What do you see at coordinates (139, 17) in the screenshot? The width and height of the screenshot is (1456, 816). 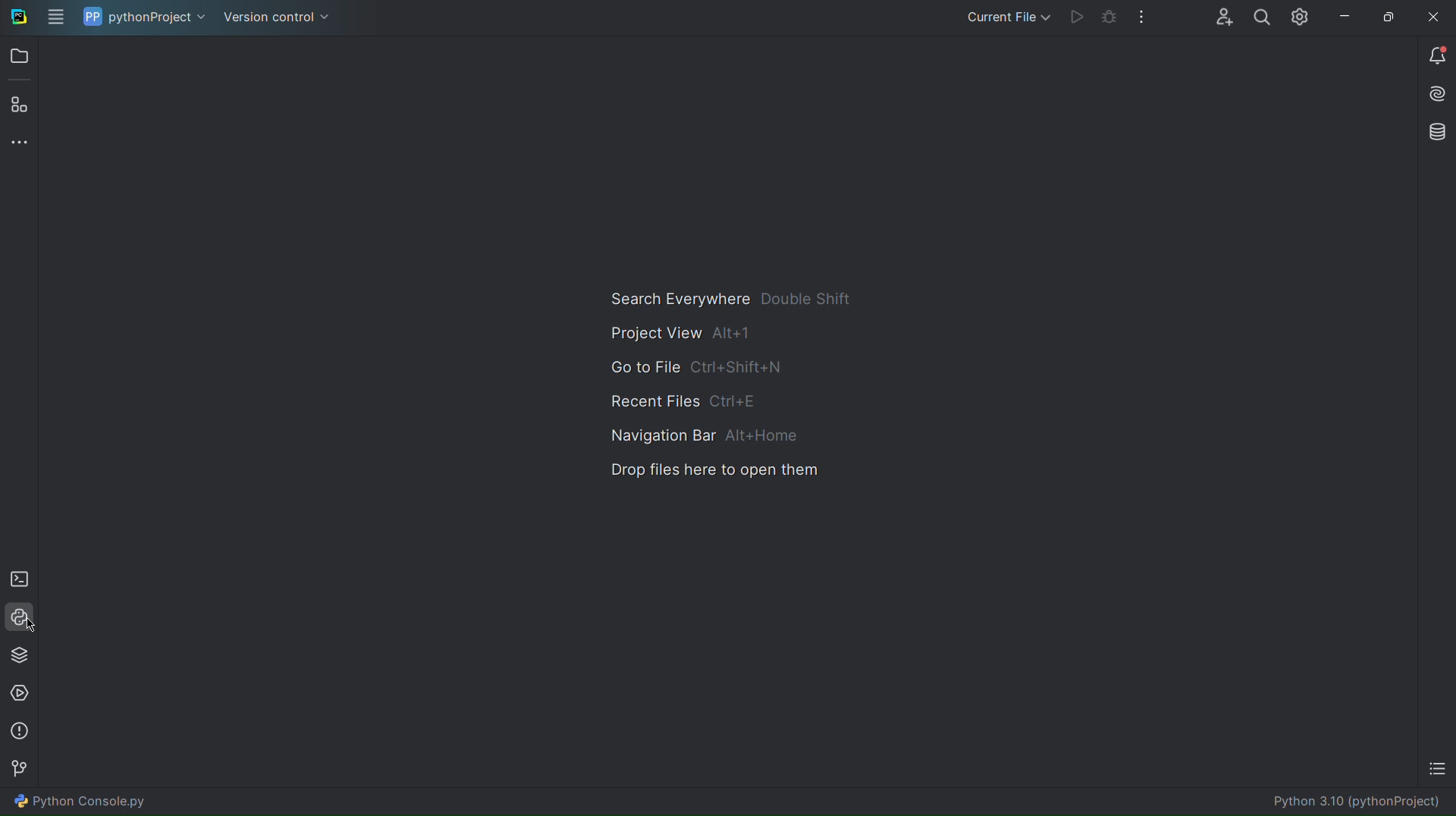 I see `pythonProject` at bounding box center [139, 17].